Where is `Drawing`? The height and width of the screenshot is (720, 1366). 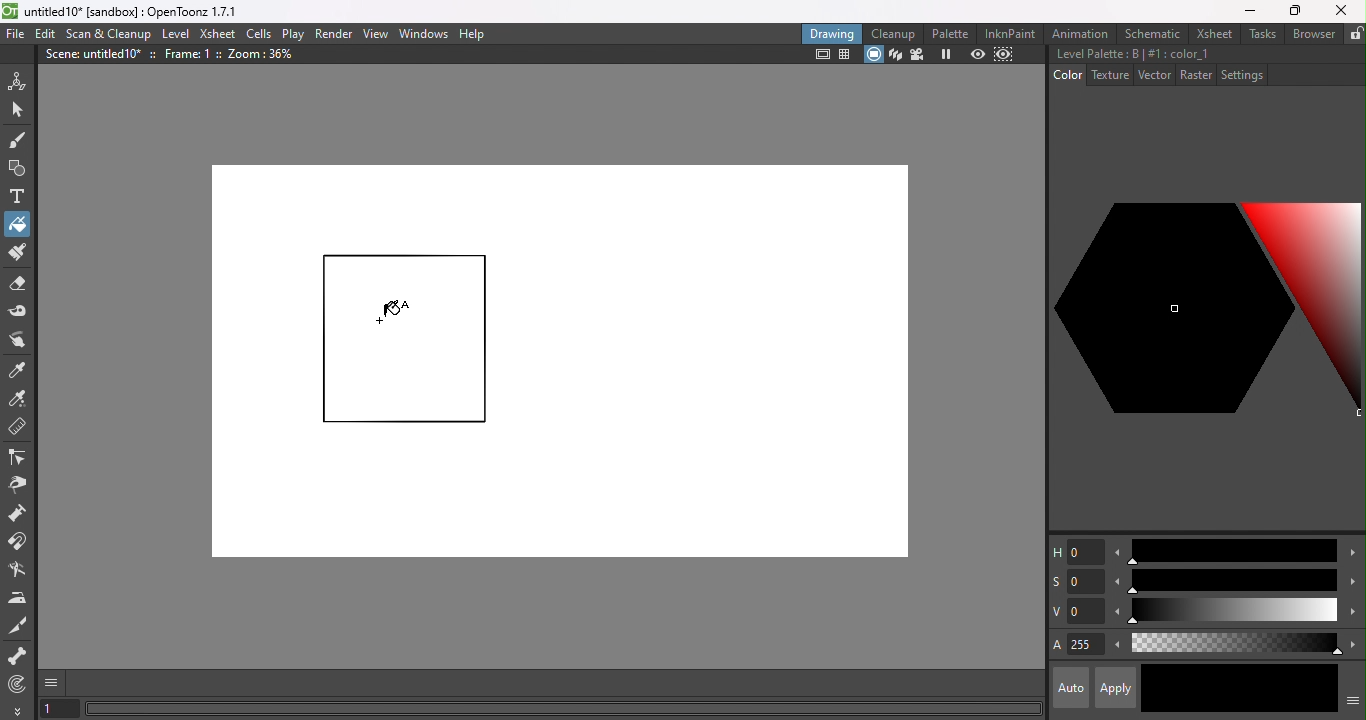 Drawing is located at coordinates (832, 33).